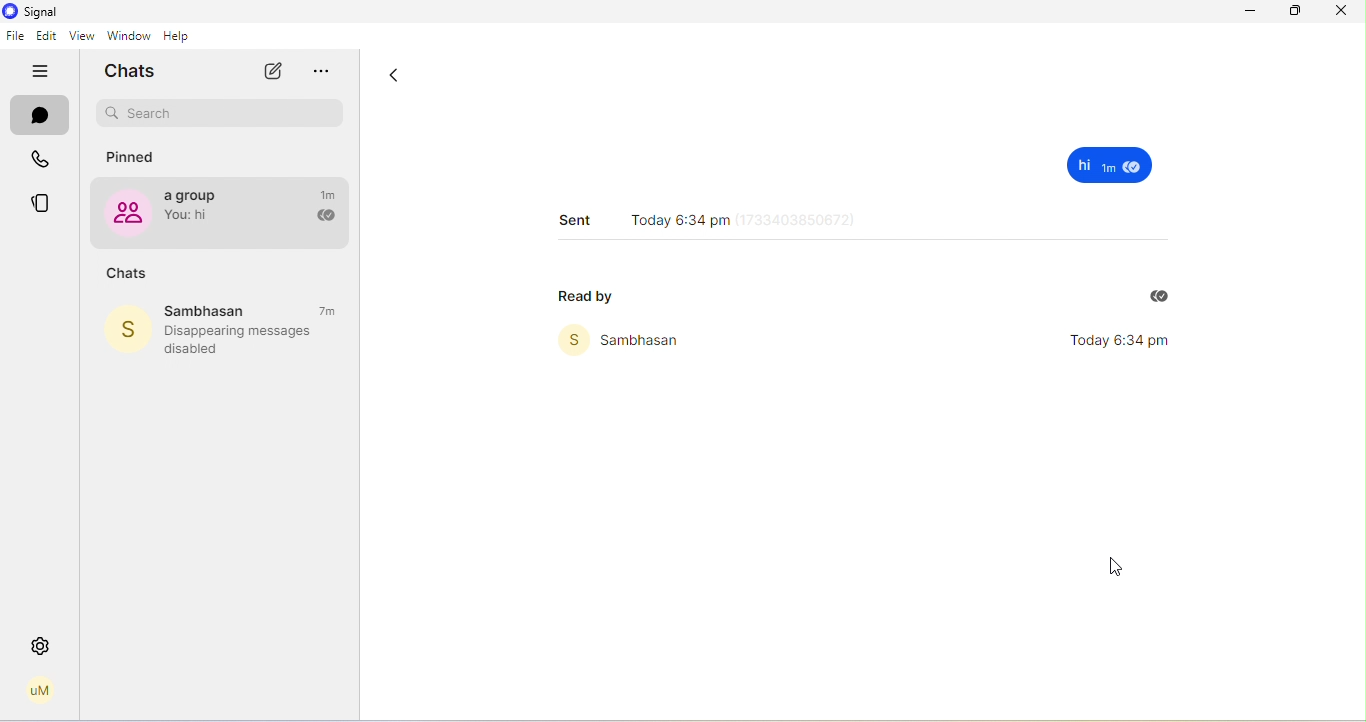 This screenshot has width=1366, height=722. I want to click on message , so click(1113, 165).